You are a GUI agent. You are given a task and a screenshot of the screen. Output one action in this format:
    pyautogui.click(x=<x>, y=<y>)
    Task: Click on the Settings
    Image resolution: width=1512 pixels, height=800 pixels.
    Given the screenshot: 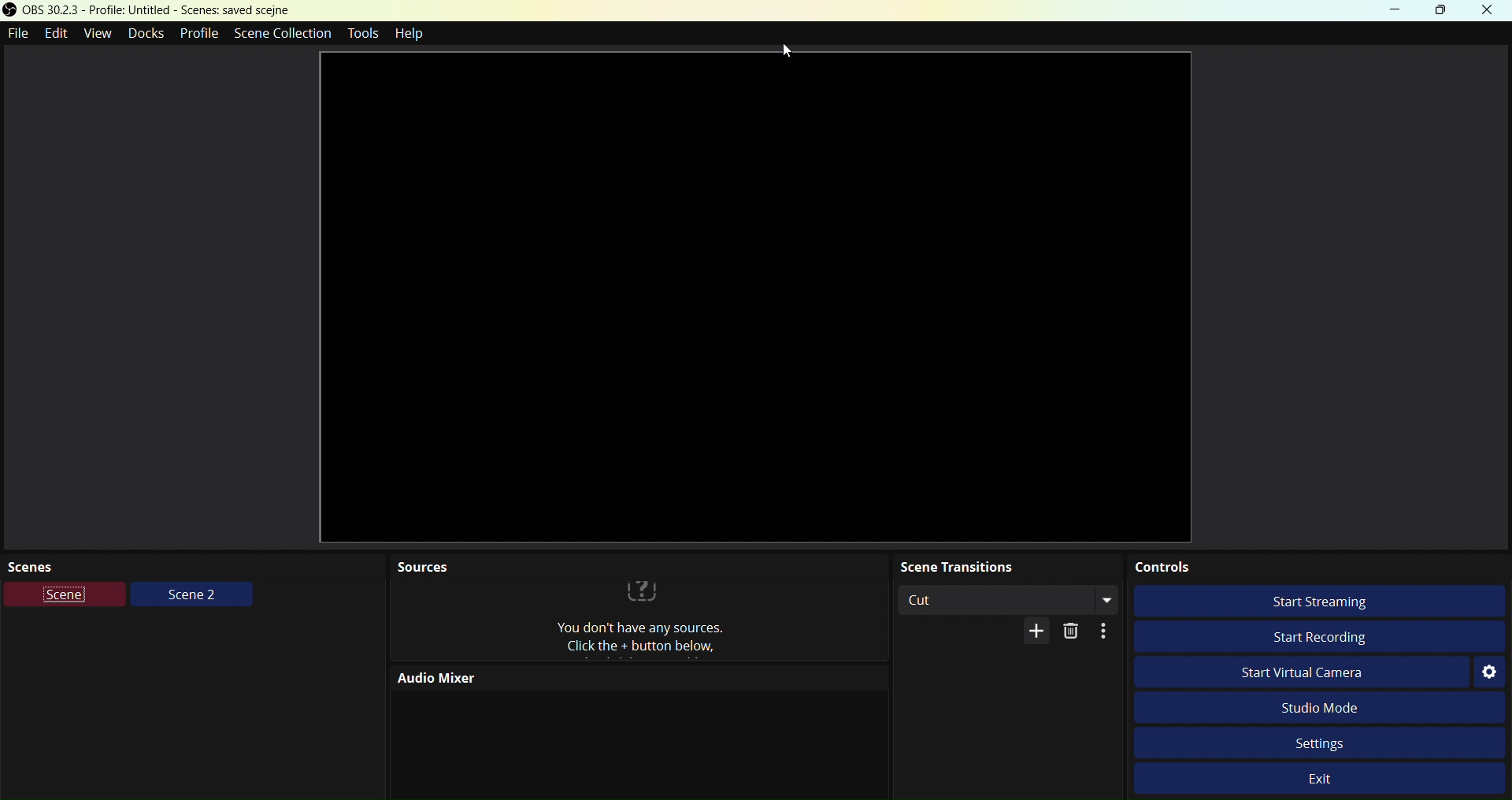 What is the action you would take?
    pyautogui.click(x=1319, y=743)
    